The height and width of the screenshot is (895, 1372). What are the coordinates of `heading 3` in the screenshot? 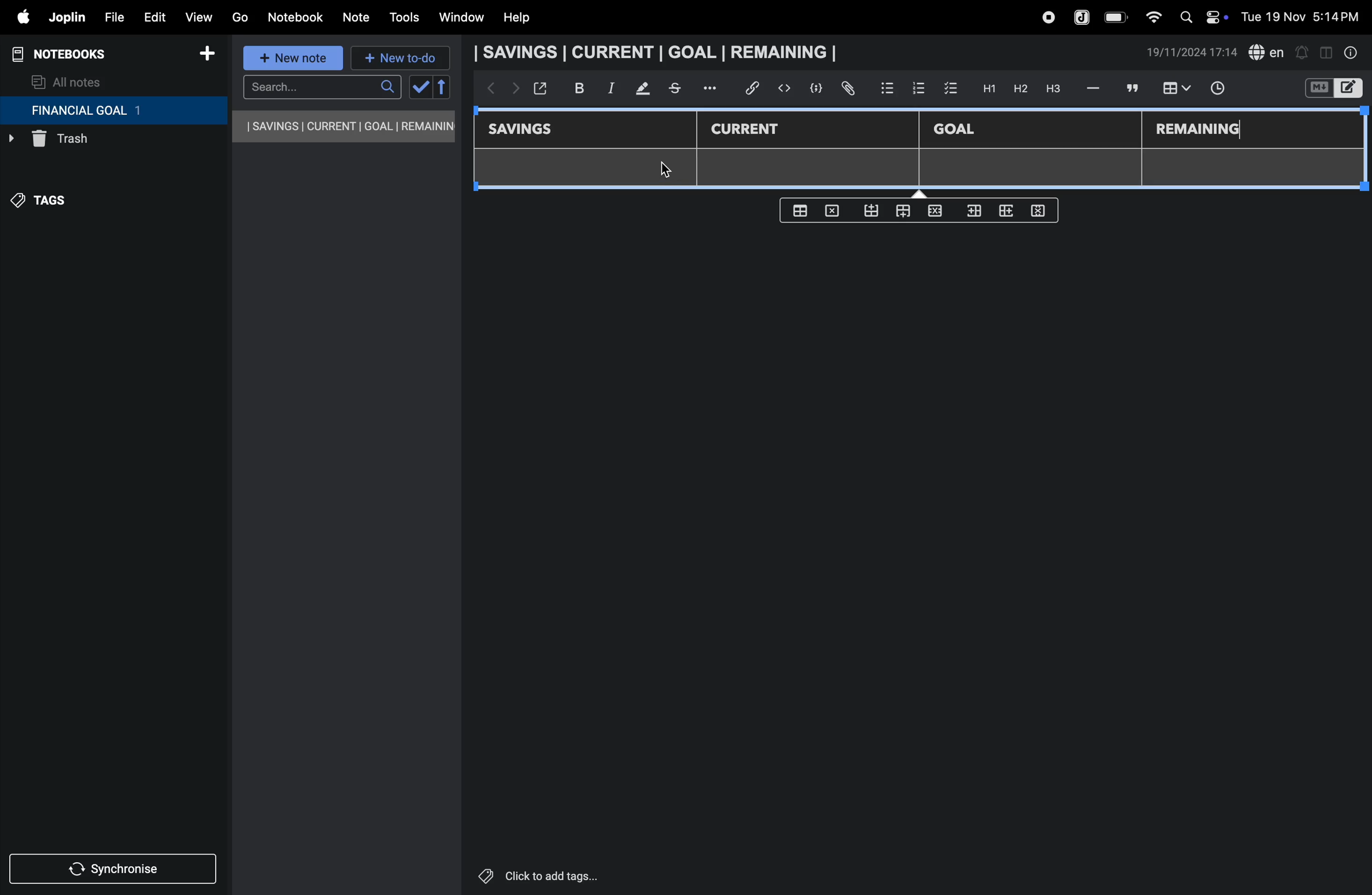 It's located at (1053, 89).